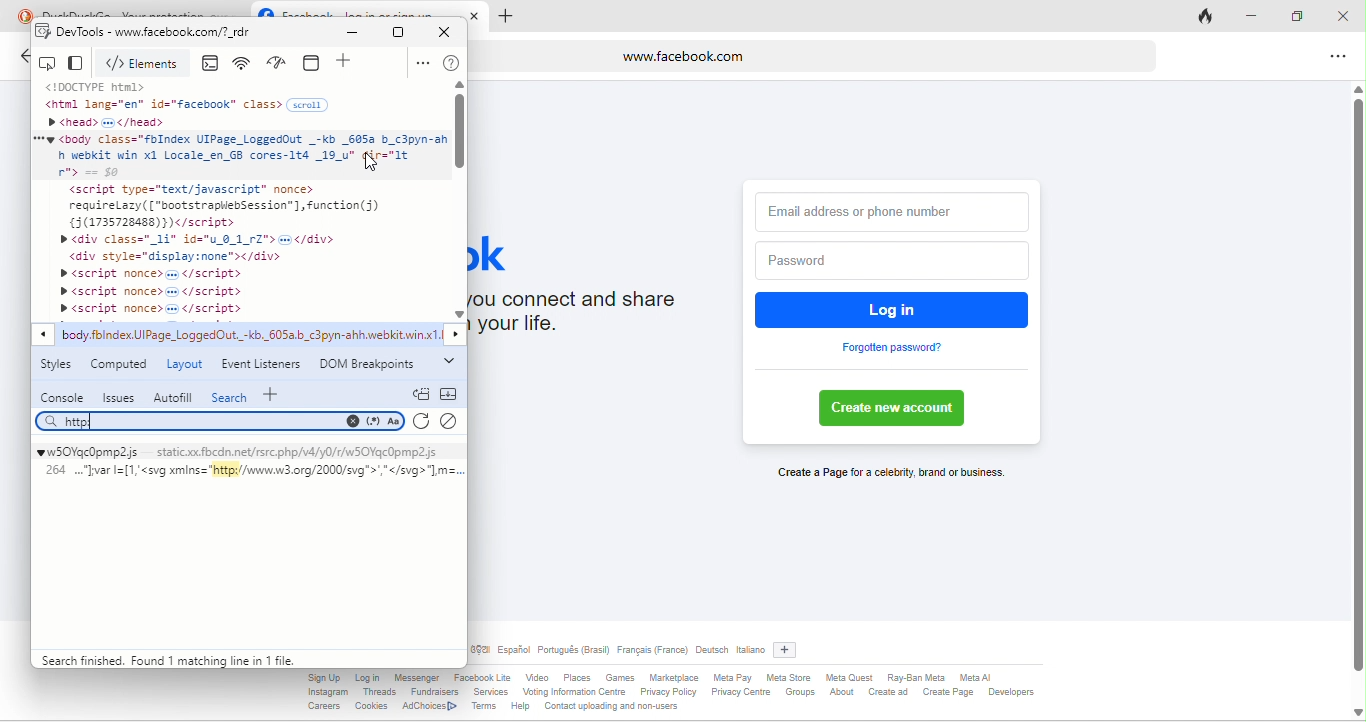 The width and height of the screenshot is (1366, 722). I want to click on help, so click(452, 64).